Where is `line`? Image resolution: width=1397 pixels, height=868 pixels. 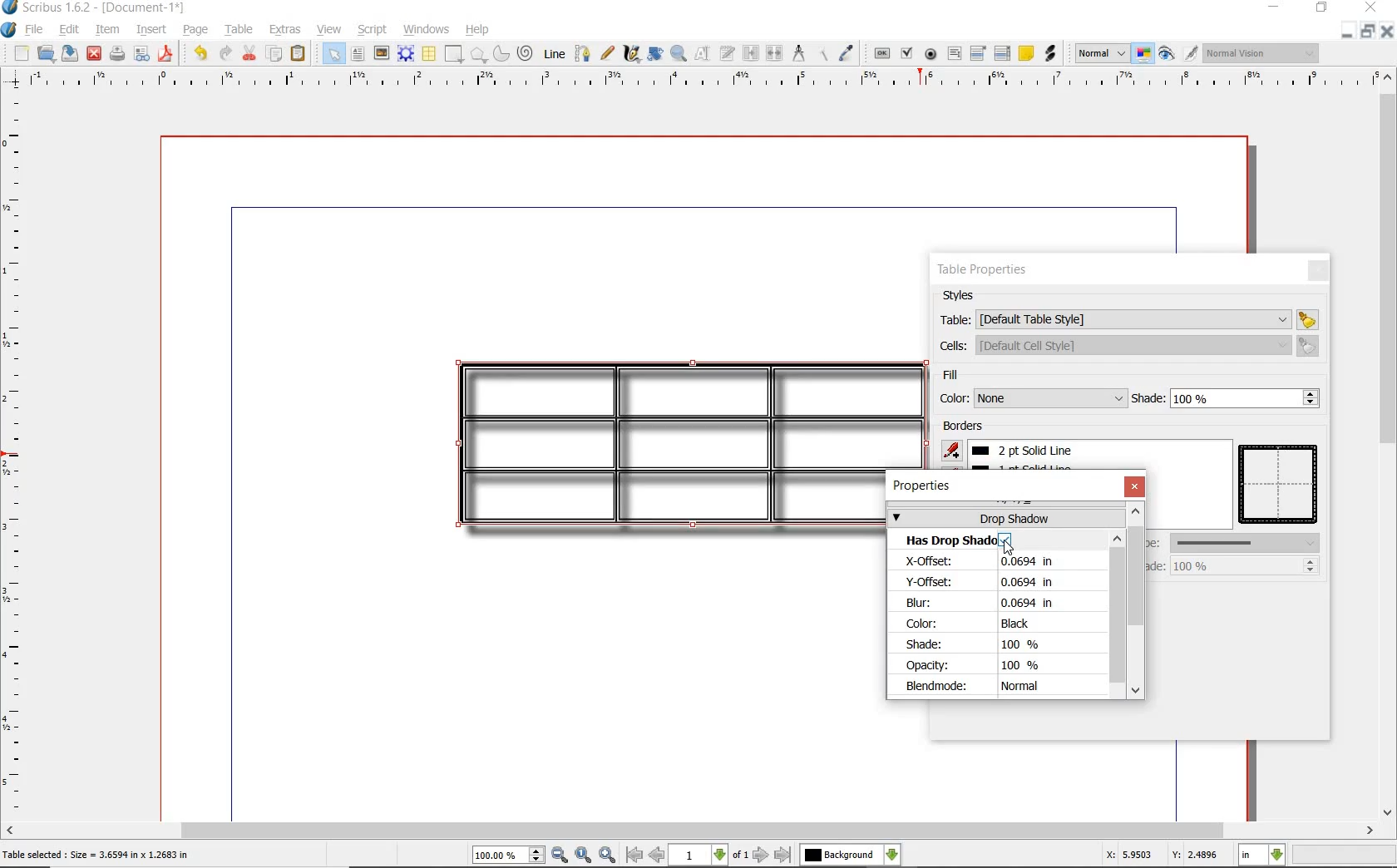
line is located at coordinates (554, 53).